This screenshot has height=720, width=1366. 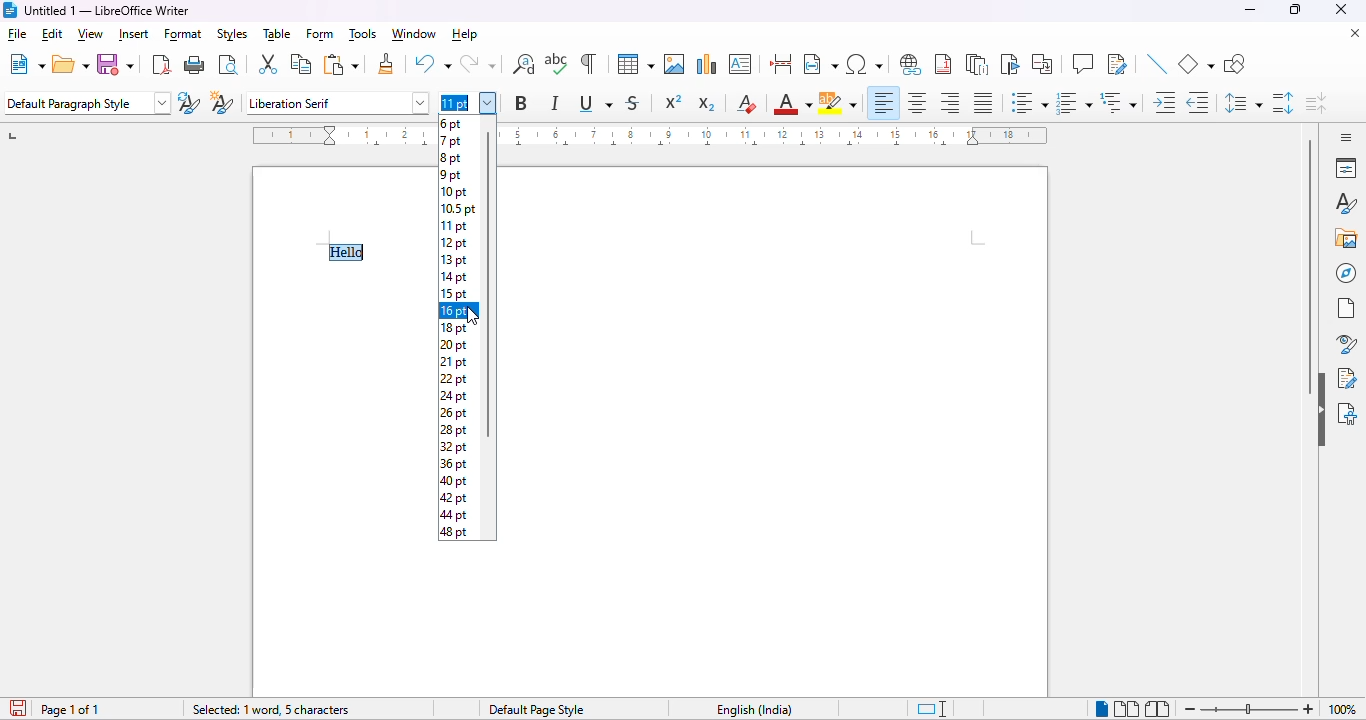 I want to click on multi-page view, so click(x=1126, y=709).